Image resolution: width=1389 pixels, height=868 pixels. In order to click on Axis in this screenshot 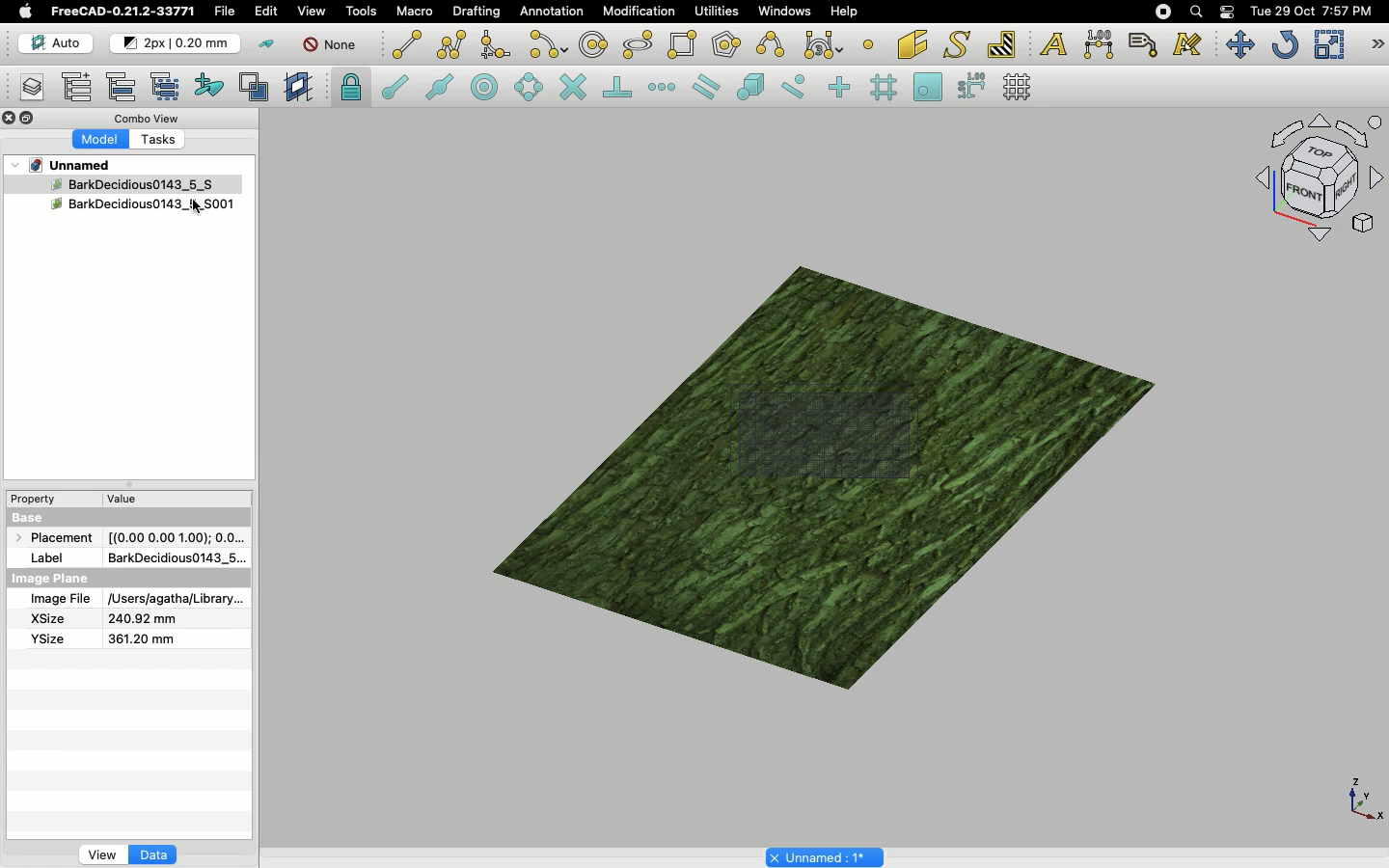, I will do `click(1361, 798)`.